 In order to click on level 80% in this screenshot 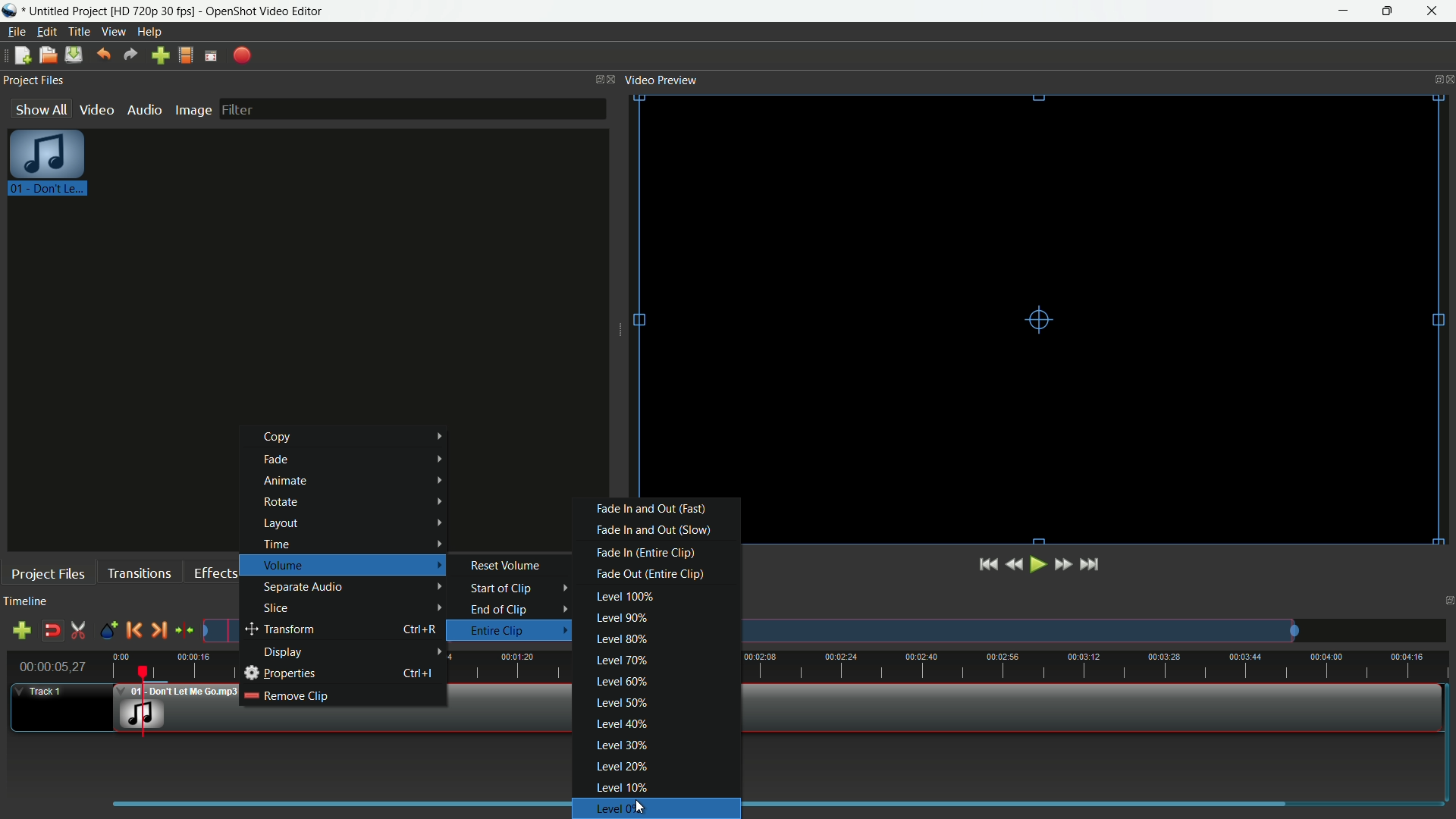, I will do `click(618, 640)`.